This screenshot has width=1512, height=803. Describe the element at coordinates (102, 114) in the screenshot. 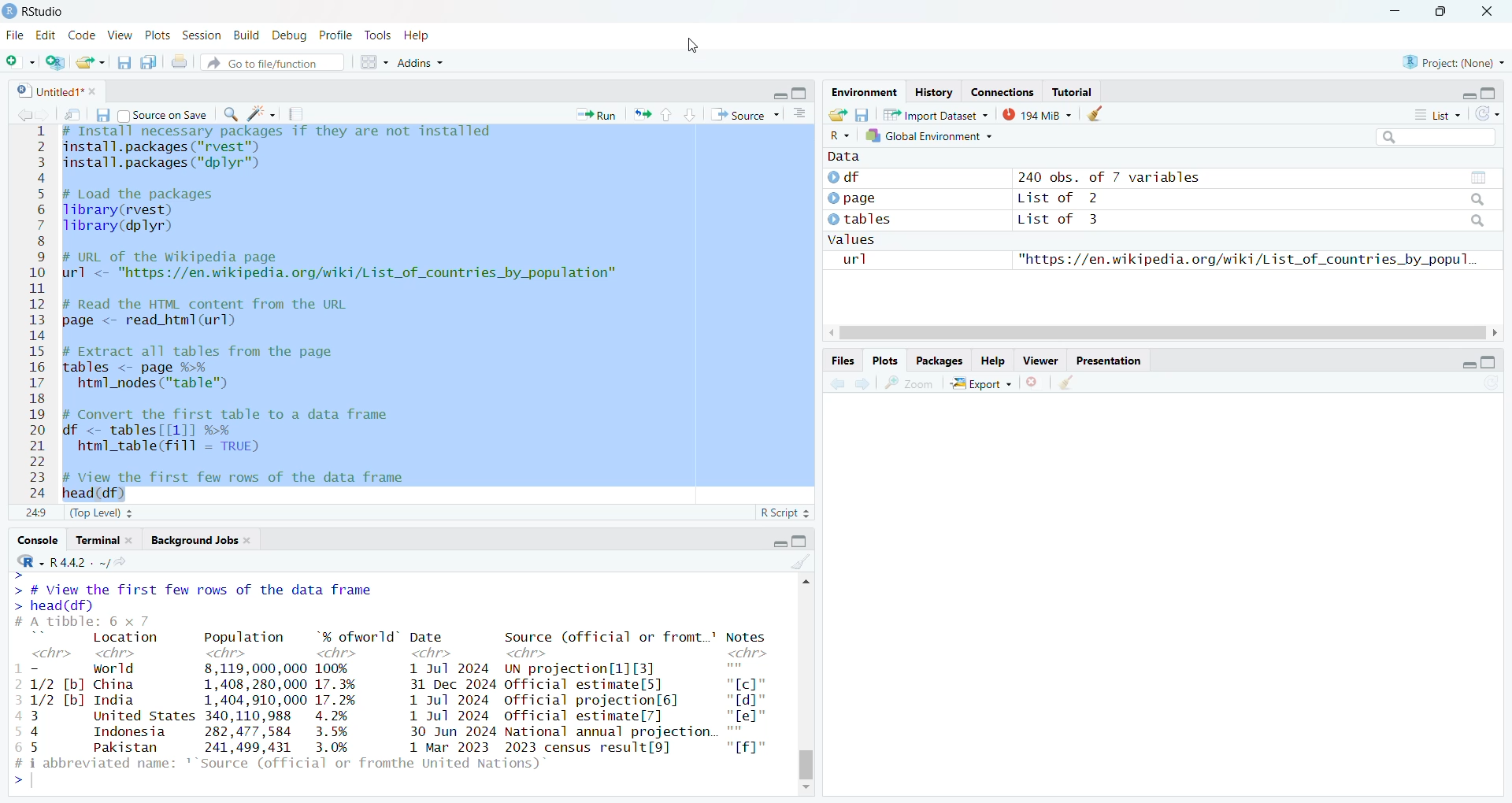

I see `save` at that location.